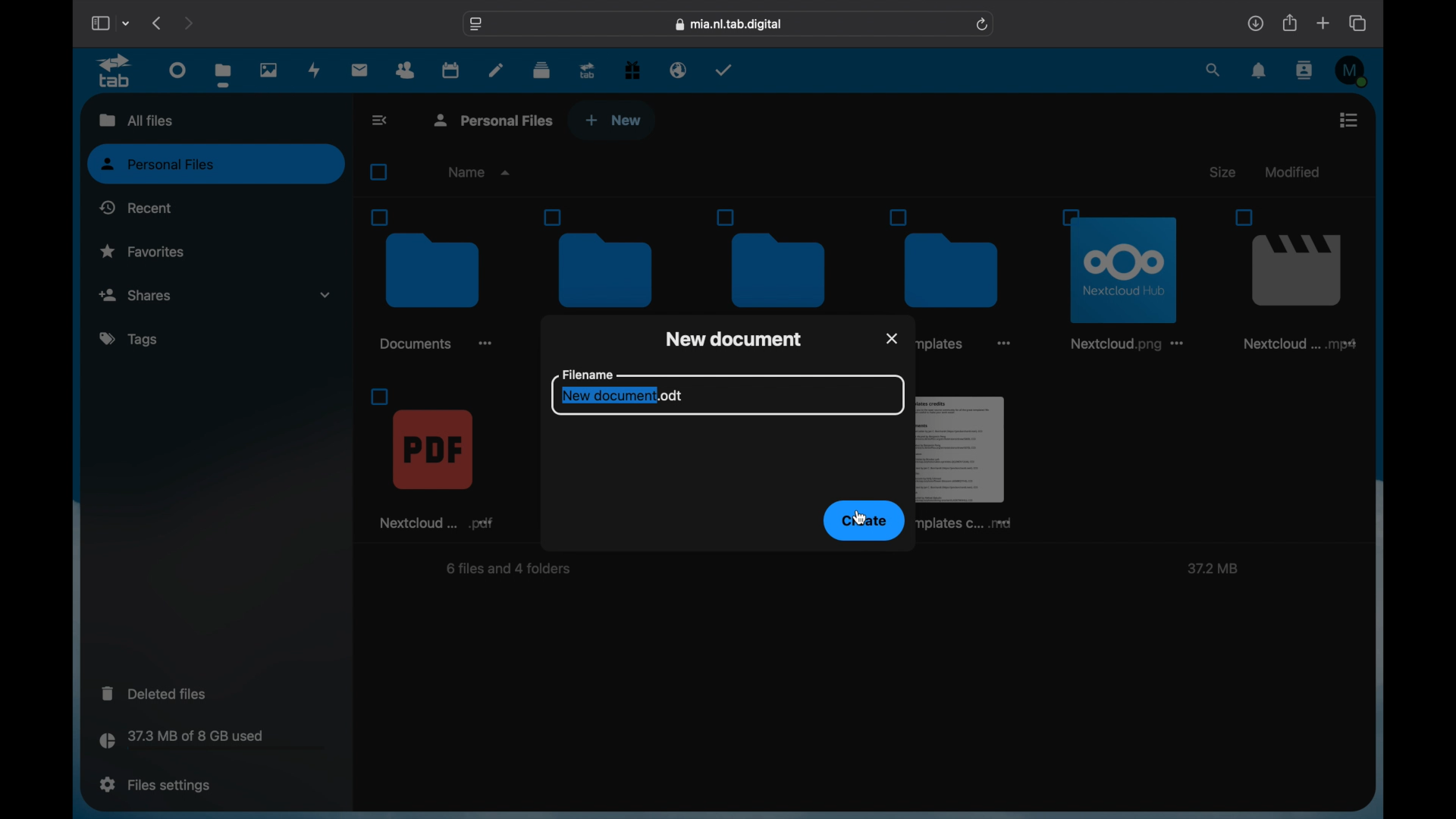  What do you see at coordinates (127, 23) in the screenshot?
I see `tab group picker` at bounding box center [127, 23].